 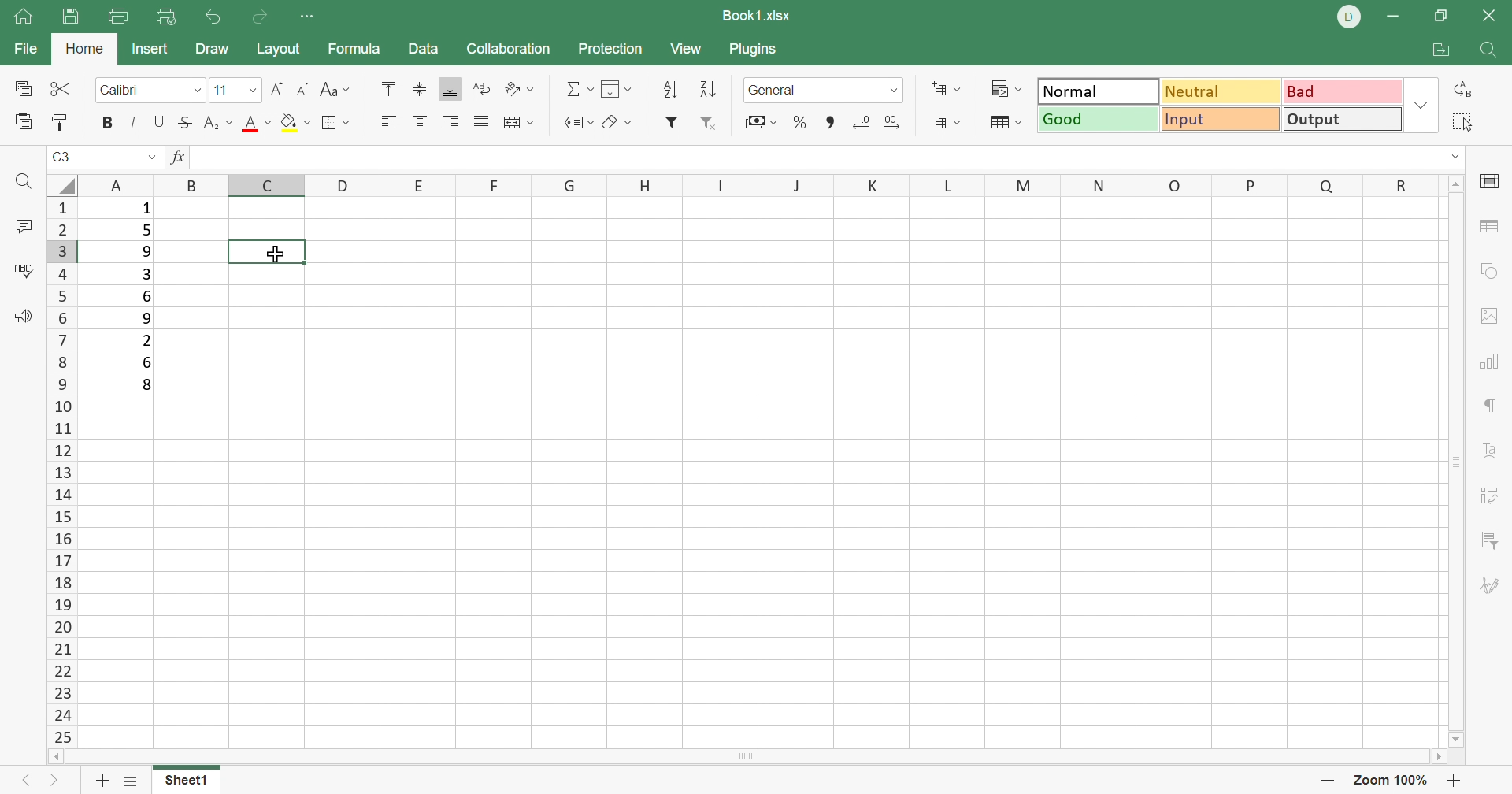 What do you see at coordinates (146, 232) in the screenshot?
I see `5` at bounding box center [146, 232].